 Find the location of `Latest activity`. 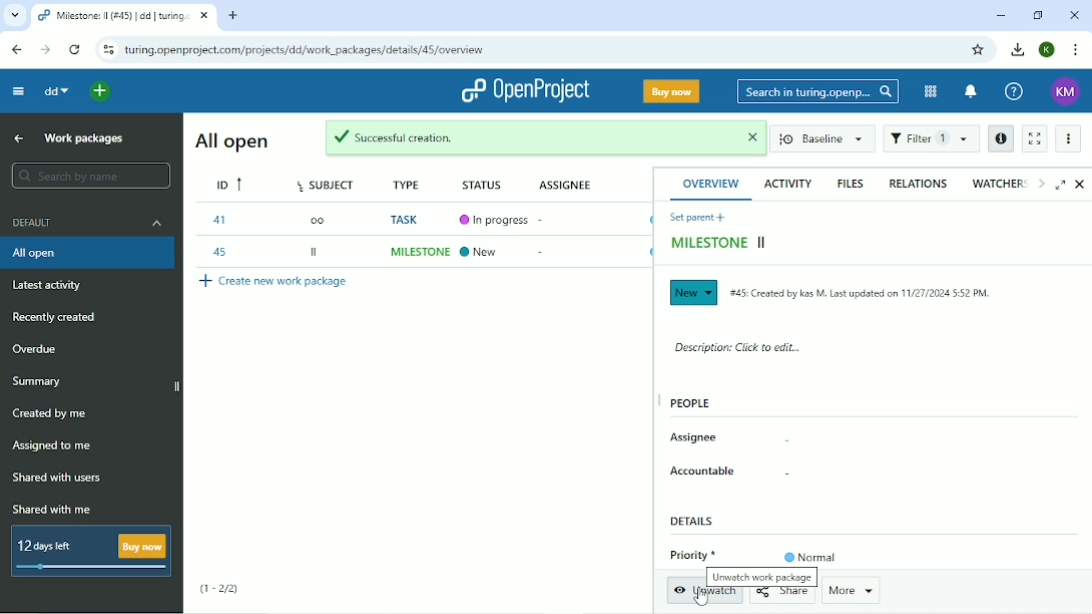

Latest activity is located at coordinates (54, 288).